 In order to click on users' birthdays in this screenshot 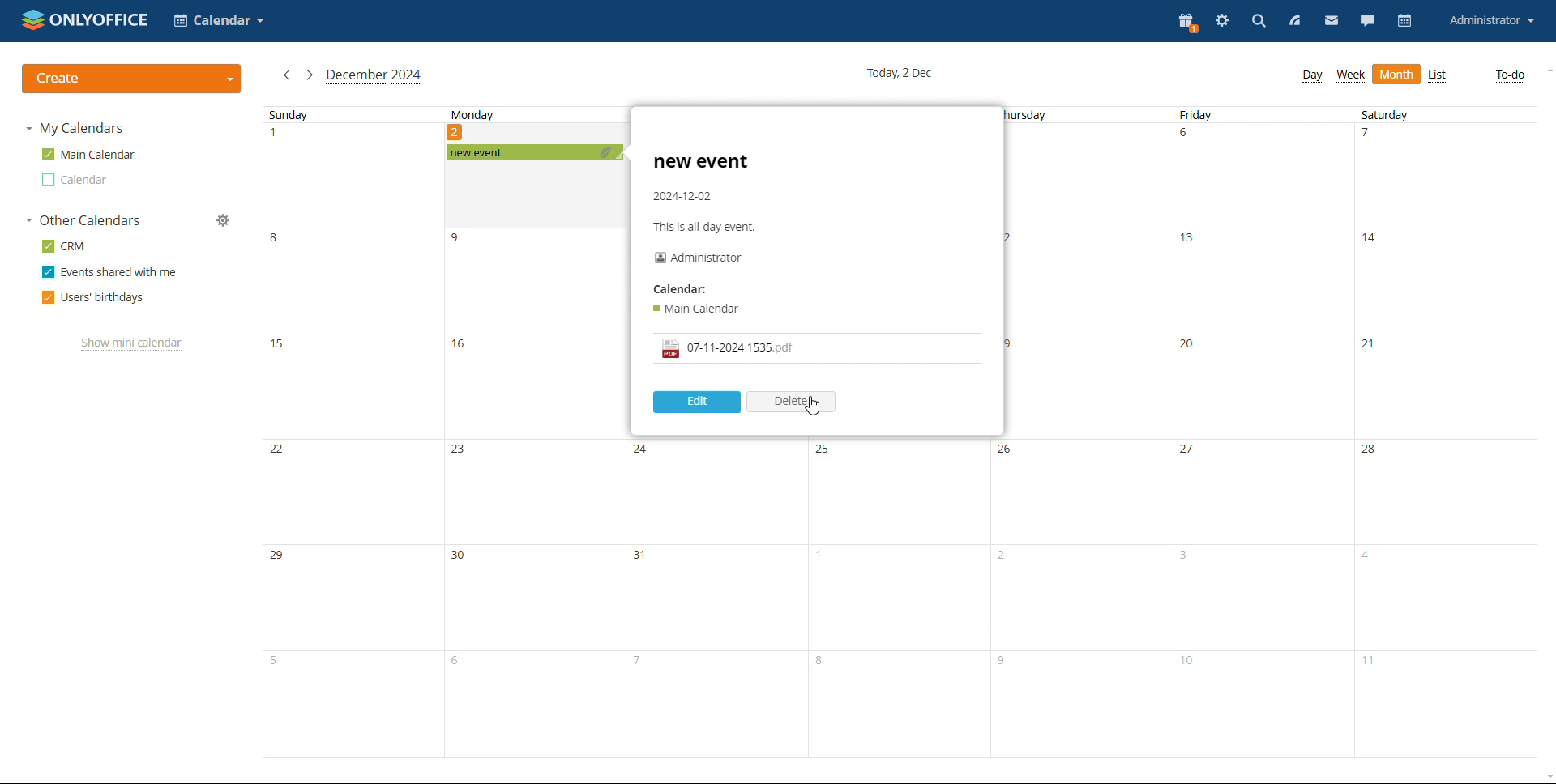, I will do `click(92, 297)`.